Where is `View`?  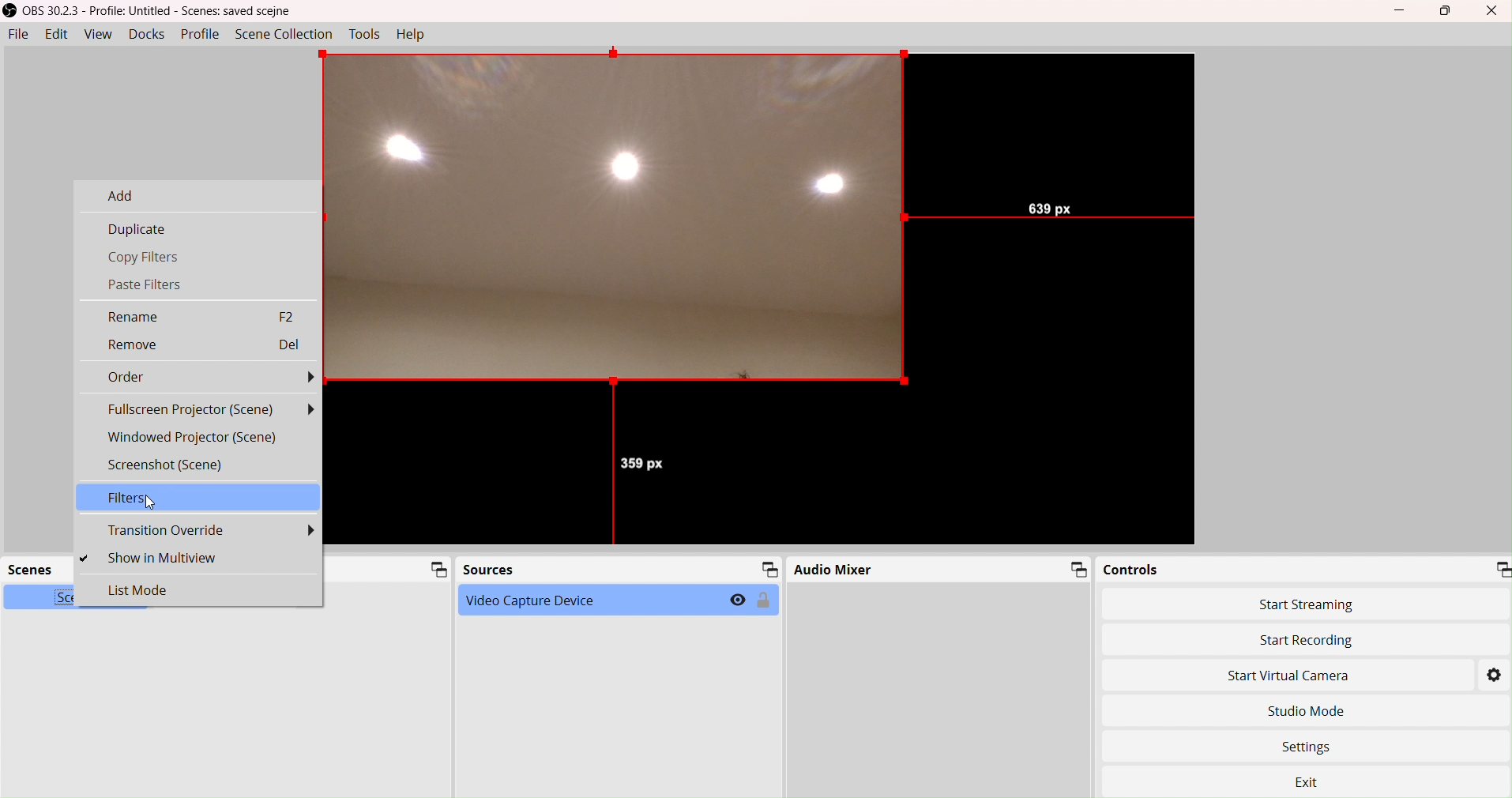
View is located at coordinates (99, 35).